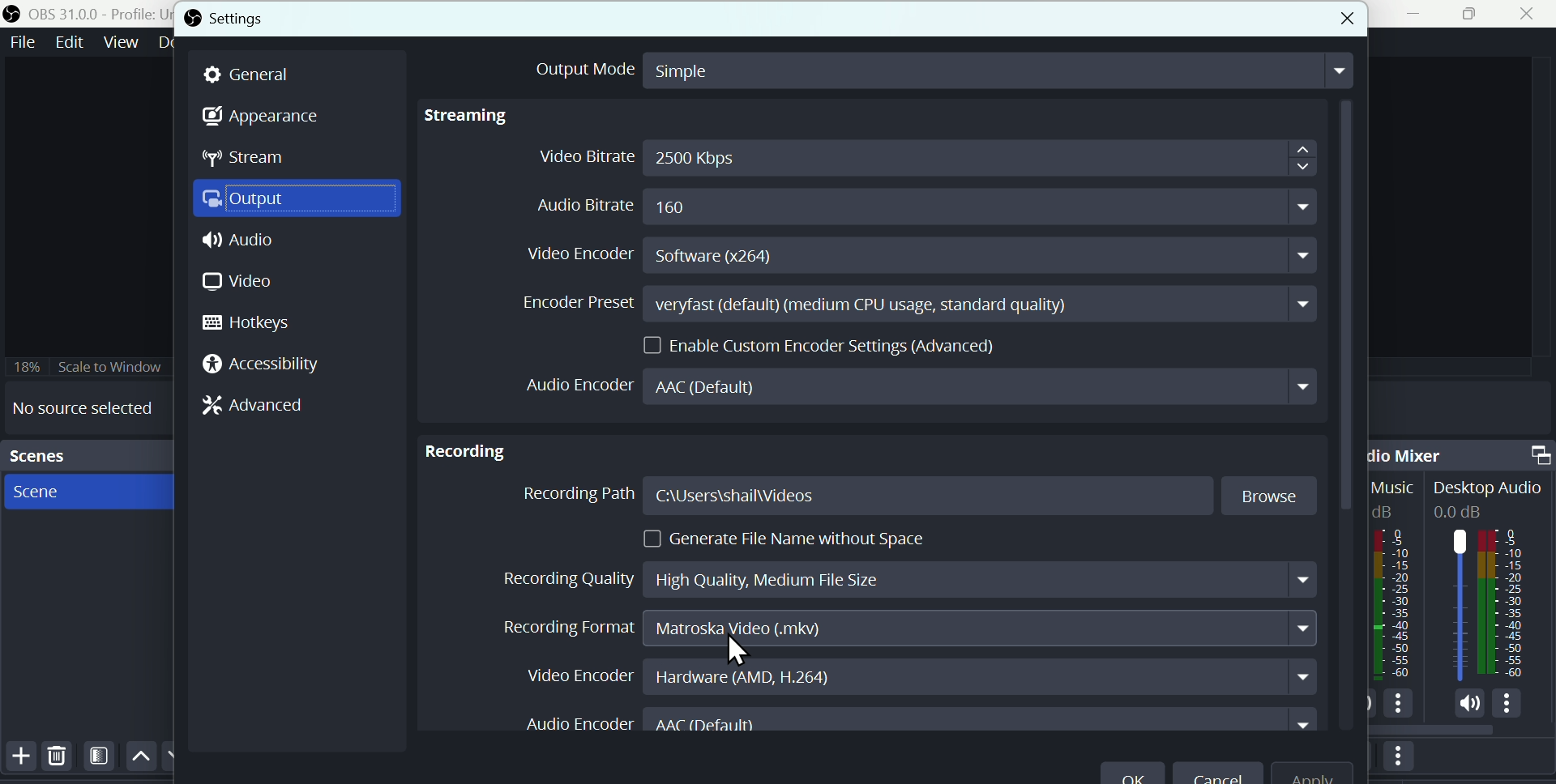  I want to click on output mode, so click(938, 69).